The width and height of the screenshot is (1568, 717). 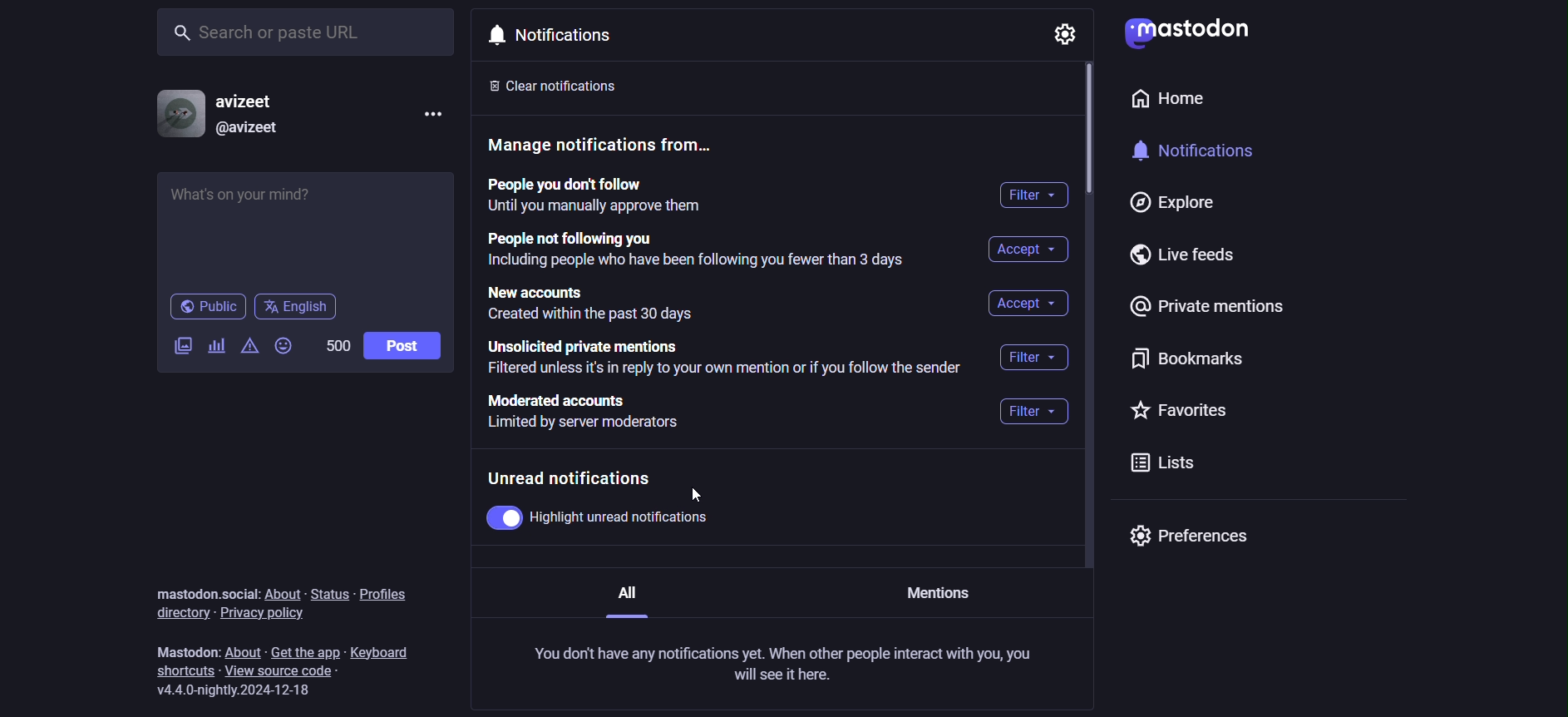 What do you see at coordinates (1089, 134) in the screenshot?
I see `vertical scroll bar` at bounding box center [1089, 134].